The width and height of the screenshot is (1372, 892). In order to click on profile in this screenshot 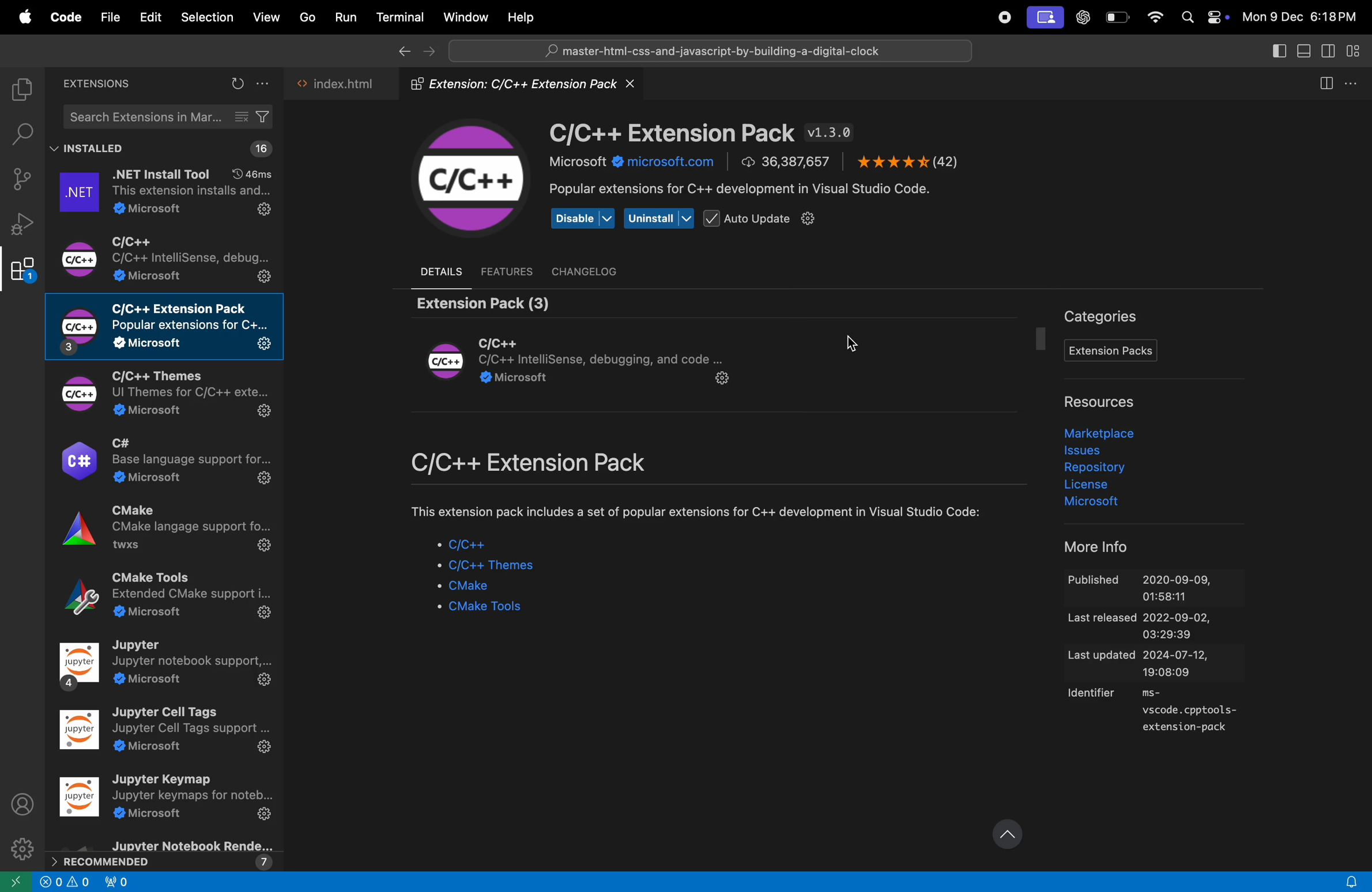, I will do `click(23, 802)`.